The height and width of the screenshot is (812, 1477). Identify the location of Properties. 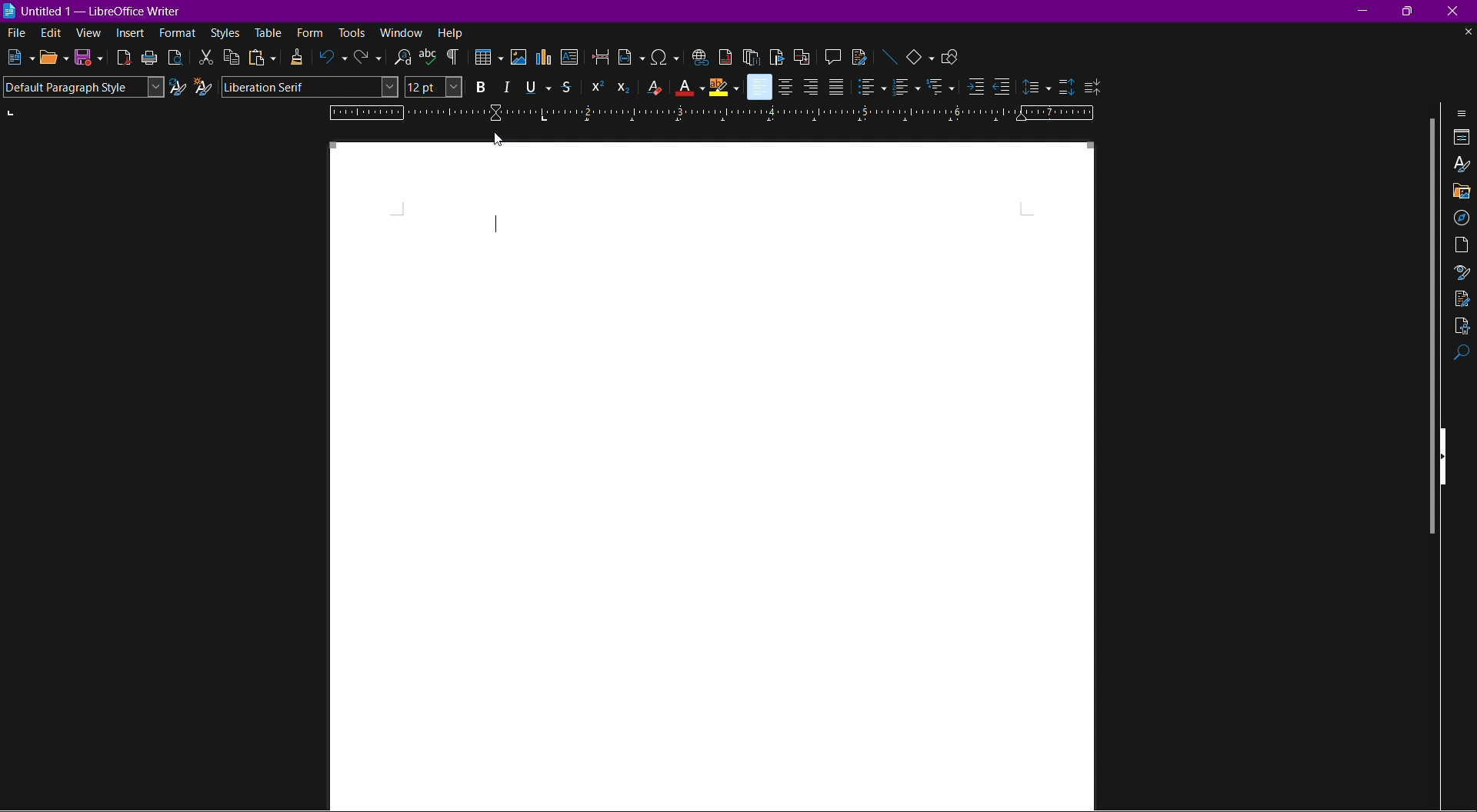
(1462, 138).